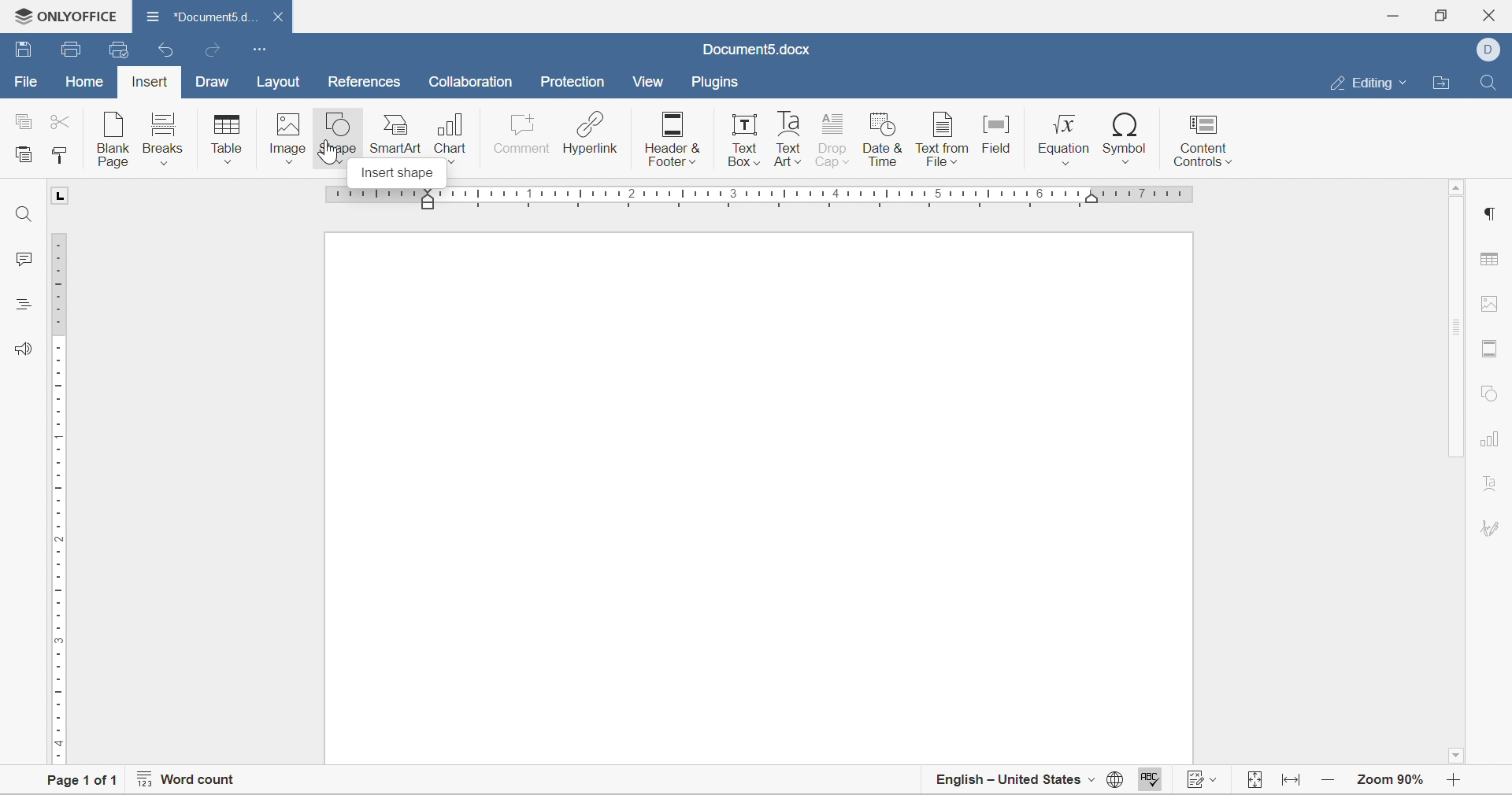 The width and height of the screenshot is (1512, 795). What do you see at coordinates (450, 133) in the screenshot?
I see `chart` at bounding box center [450, 133].